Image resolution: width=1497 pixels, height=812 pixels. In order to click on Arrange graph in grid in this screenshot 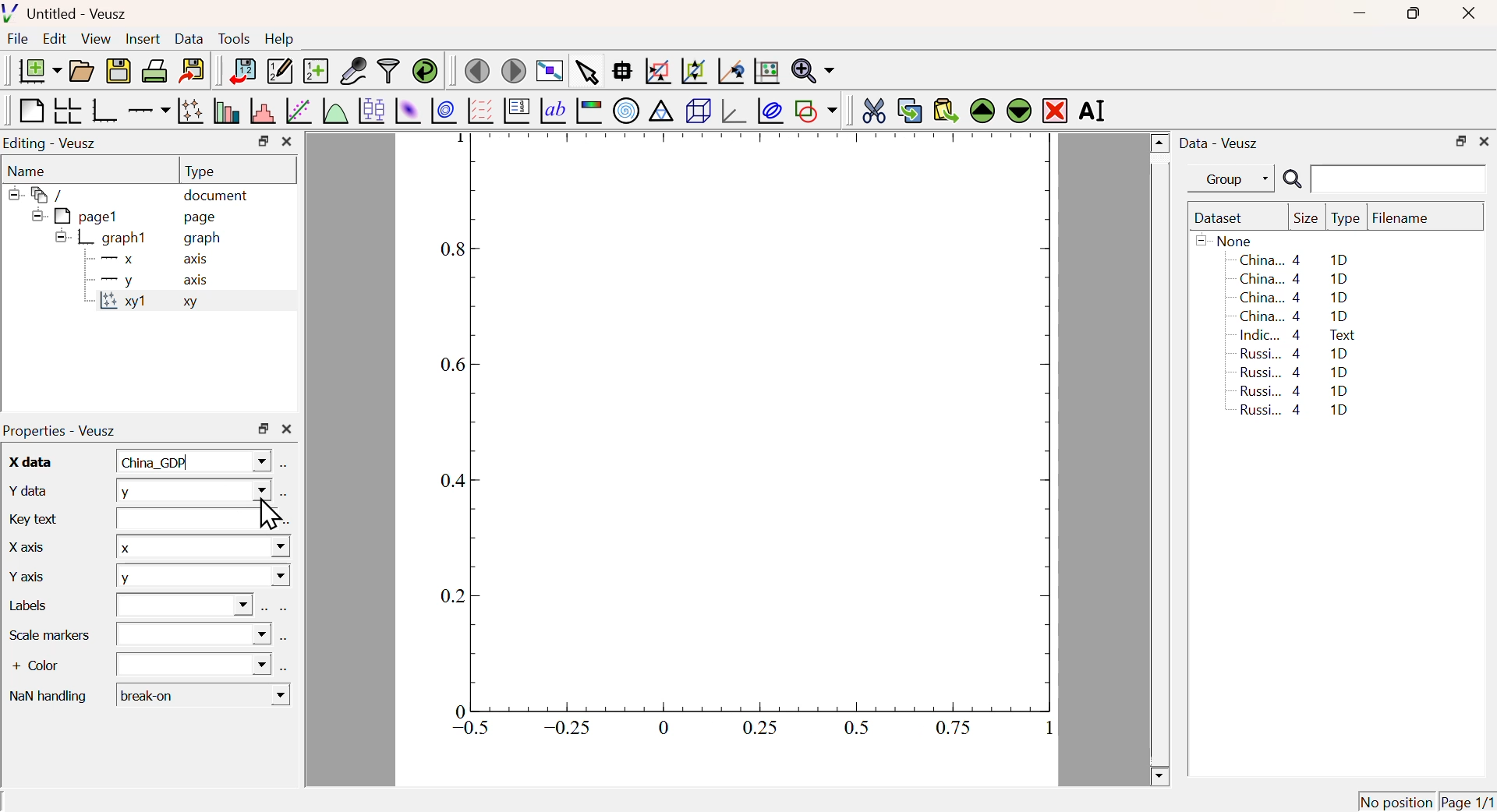, I will do `click(66, 110)`.